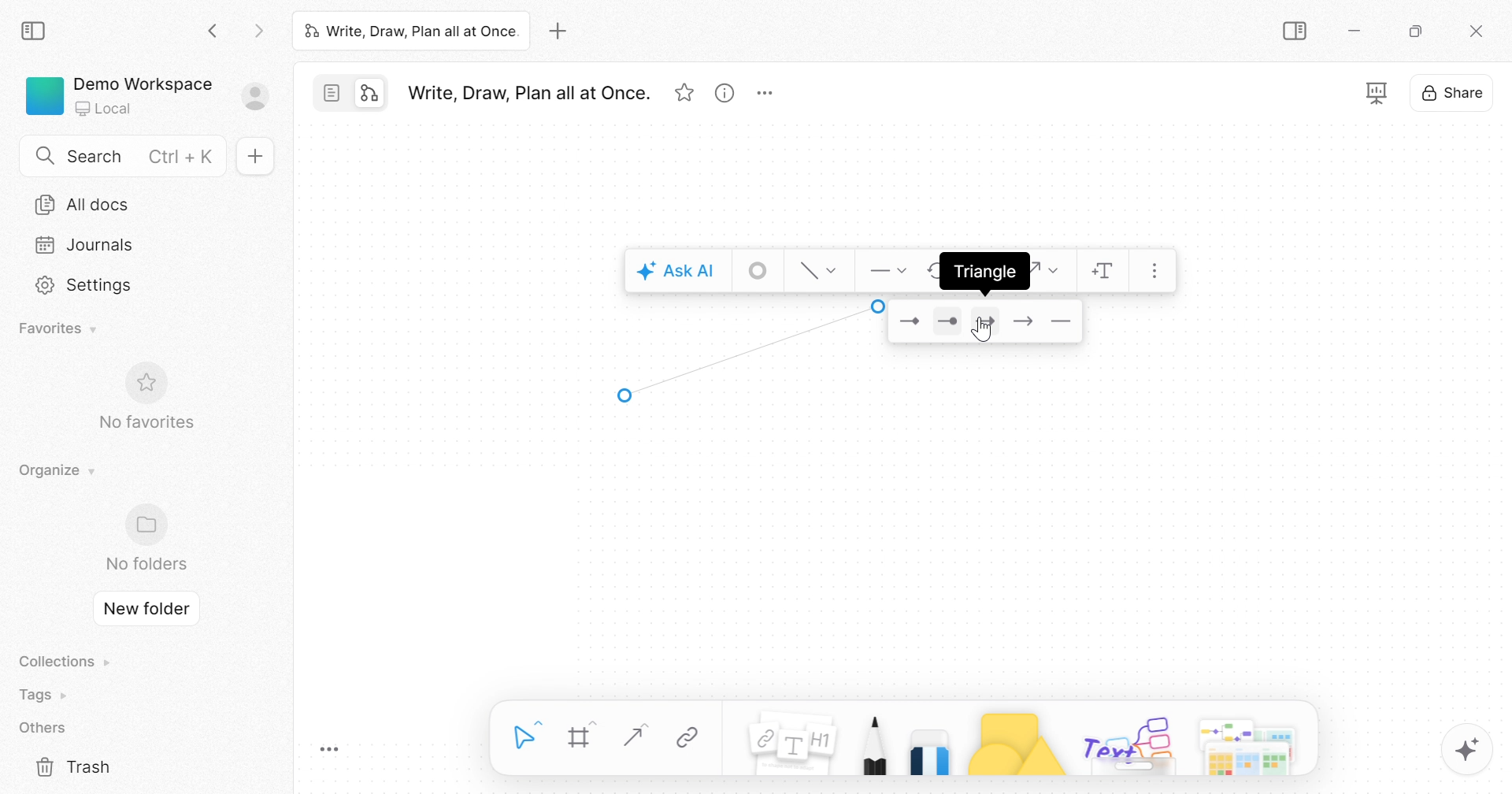 The height and width of the screenshot is (794, 1512). Describe the element at coordinates (769, 94) in the screenshot. I see `More options` at that location.